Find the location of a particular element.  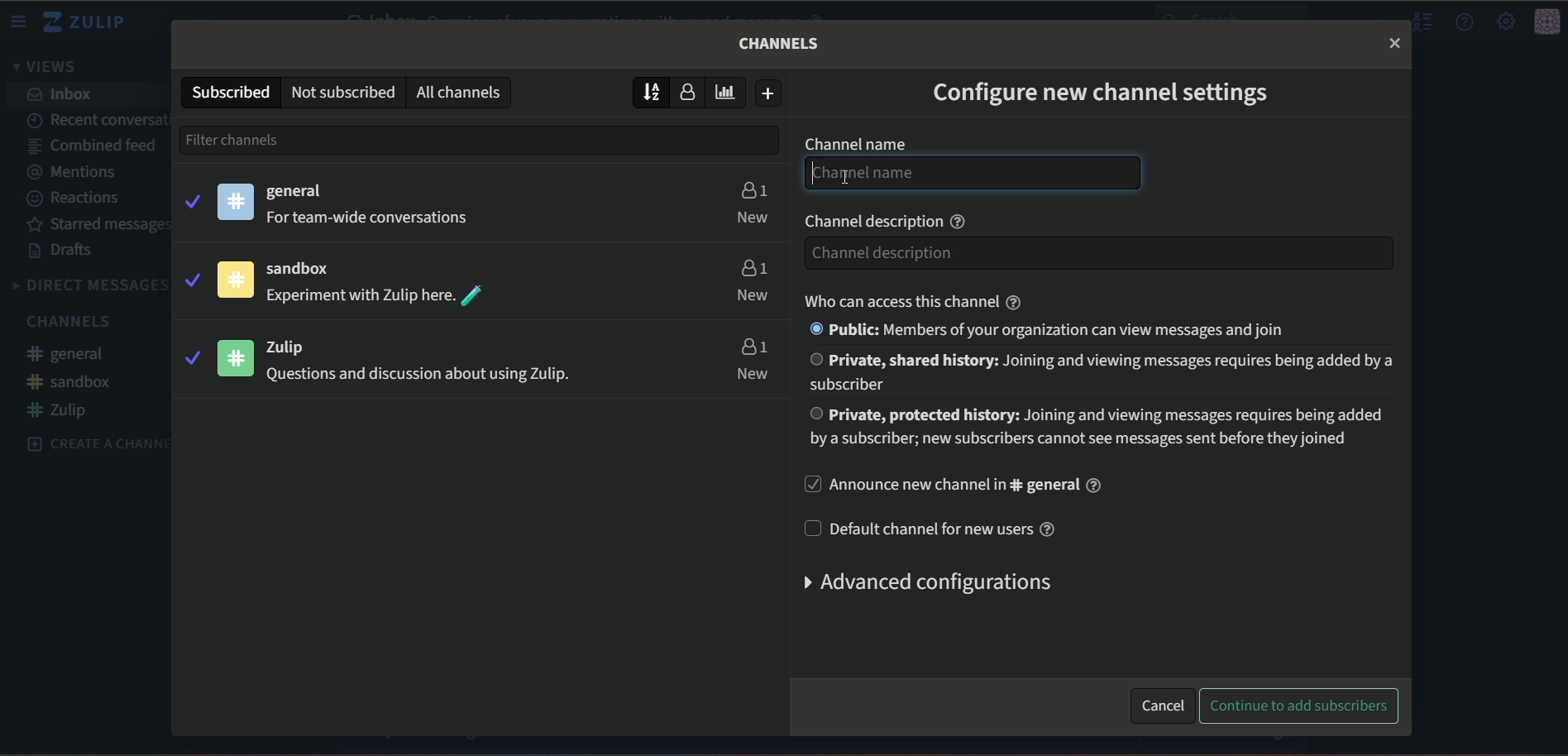

users is located at coordinates (753, 346).